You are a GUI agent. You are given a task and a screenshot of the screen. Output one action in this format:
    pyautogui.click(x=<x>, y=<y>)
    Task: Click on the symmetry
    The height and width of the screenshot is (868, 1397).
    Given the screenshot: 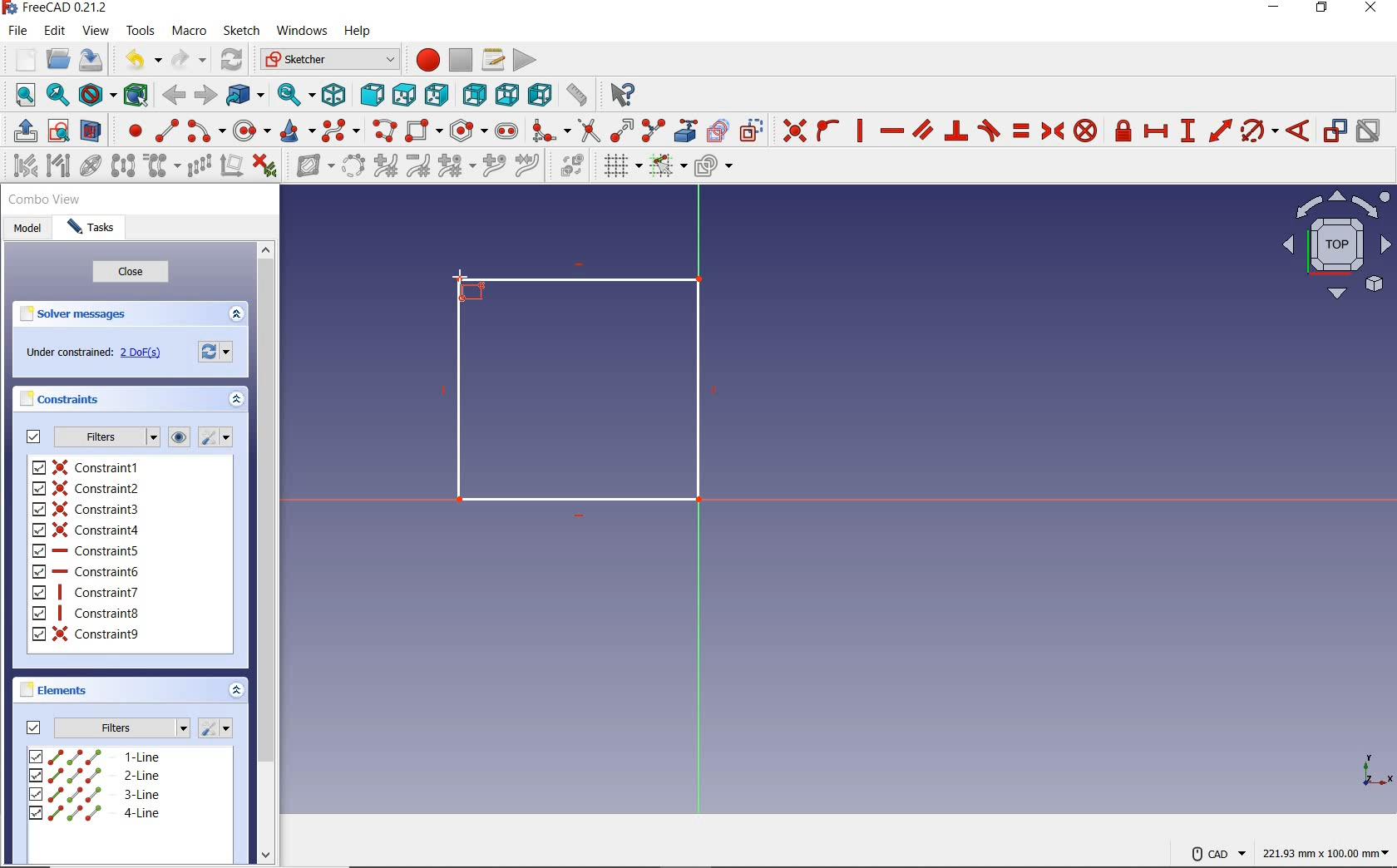 What is the action you would take?
    pyautogui.click(x=122, y=165)
    